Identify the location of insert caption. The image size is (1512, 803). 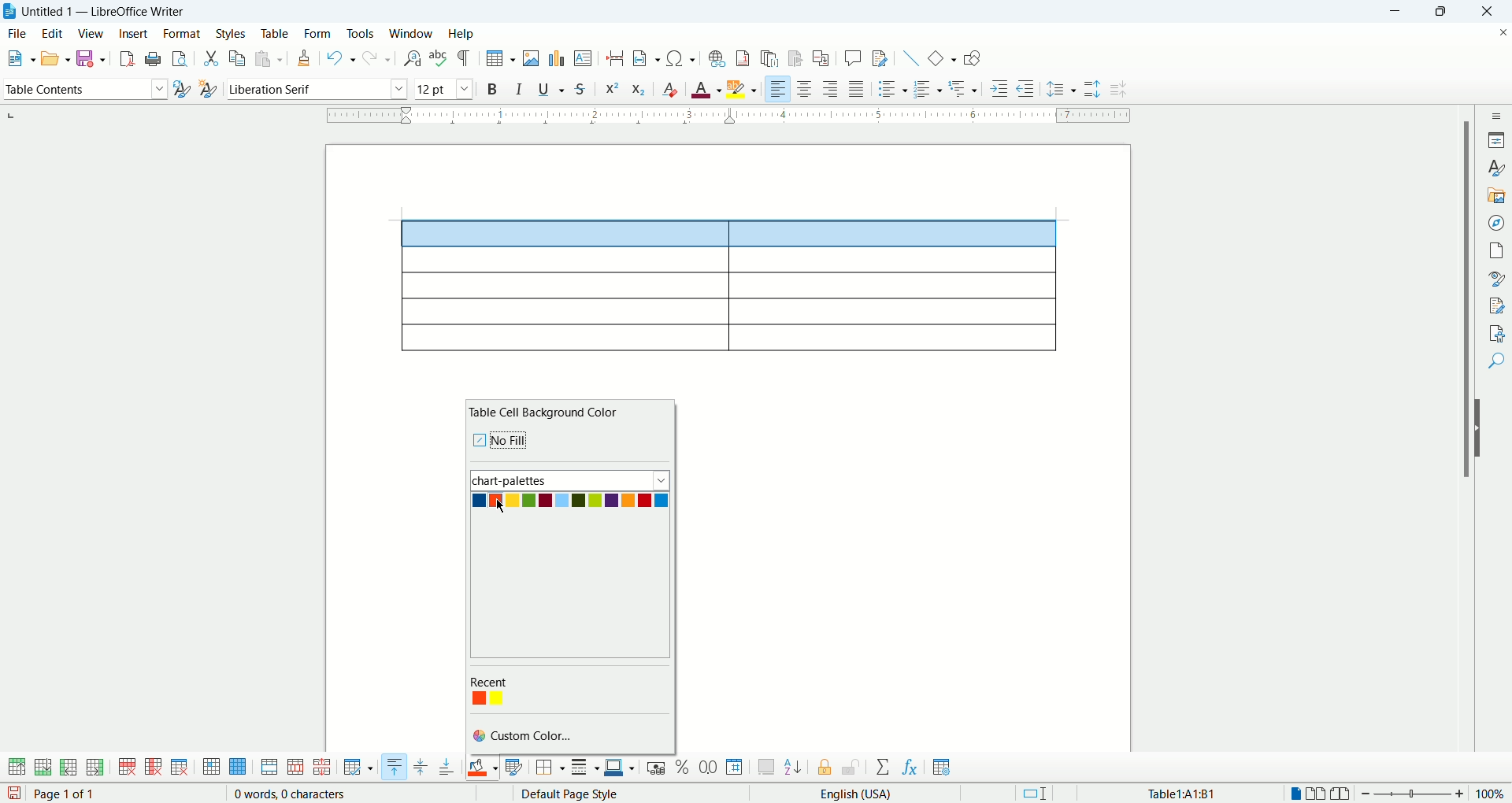
(766, 767).